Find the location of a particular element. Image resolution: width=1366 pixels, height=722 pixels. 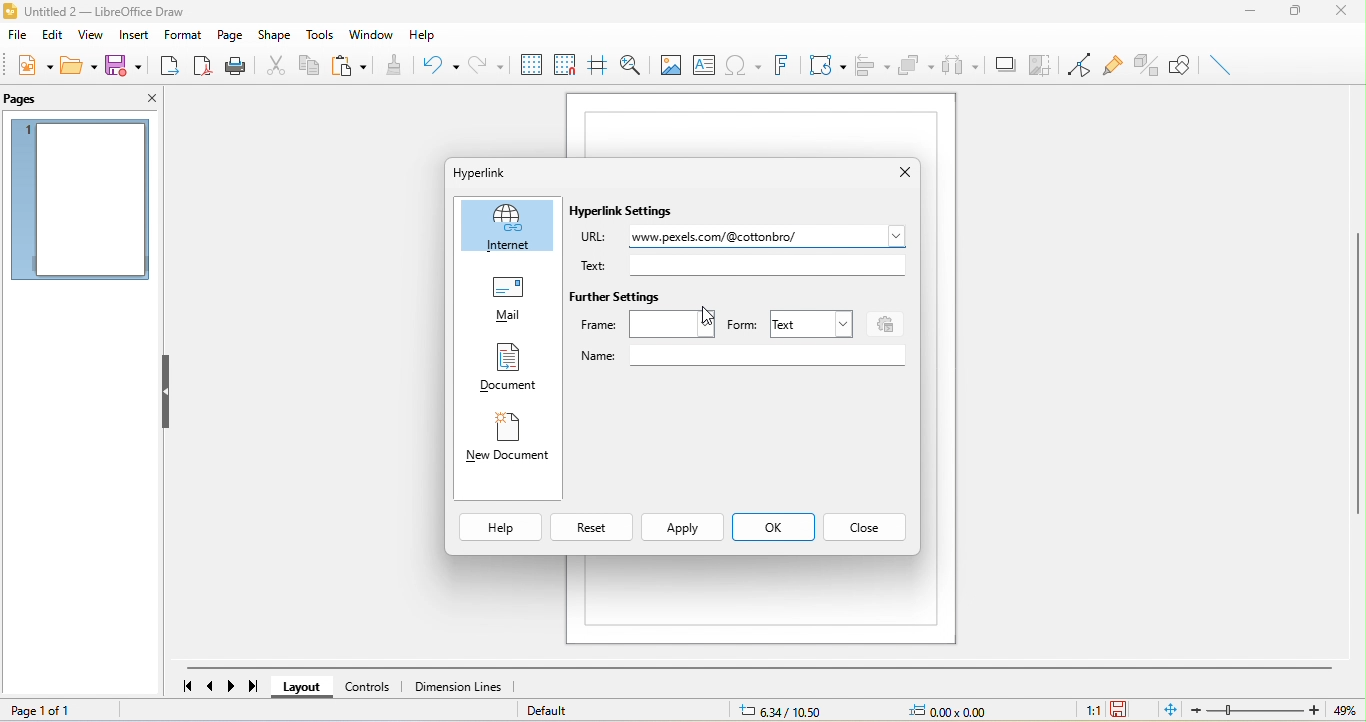

transformation is located at coordinates (825, 65).